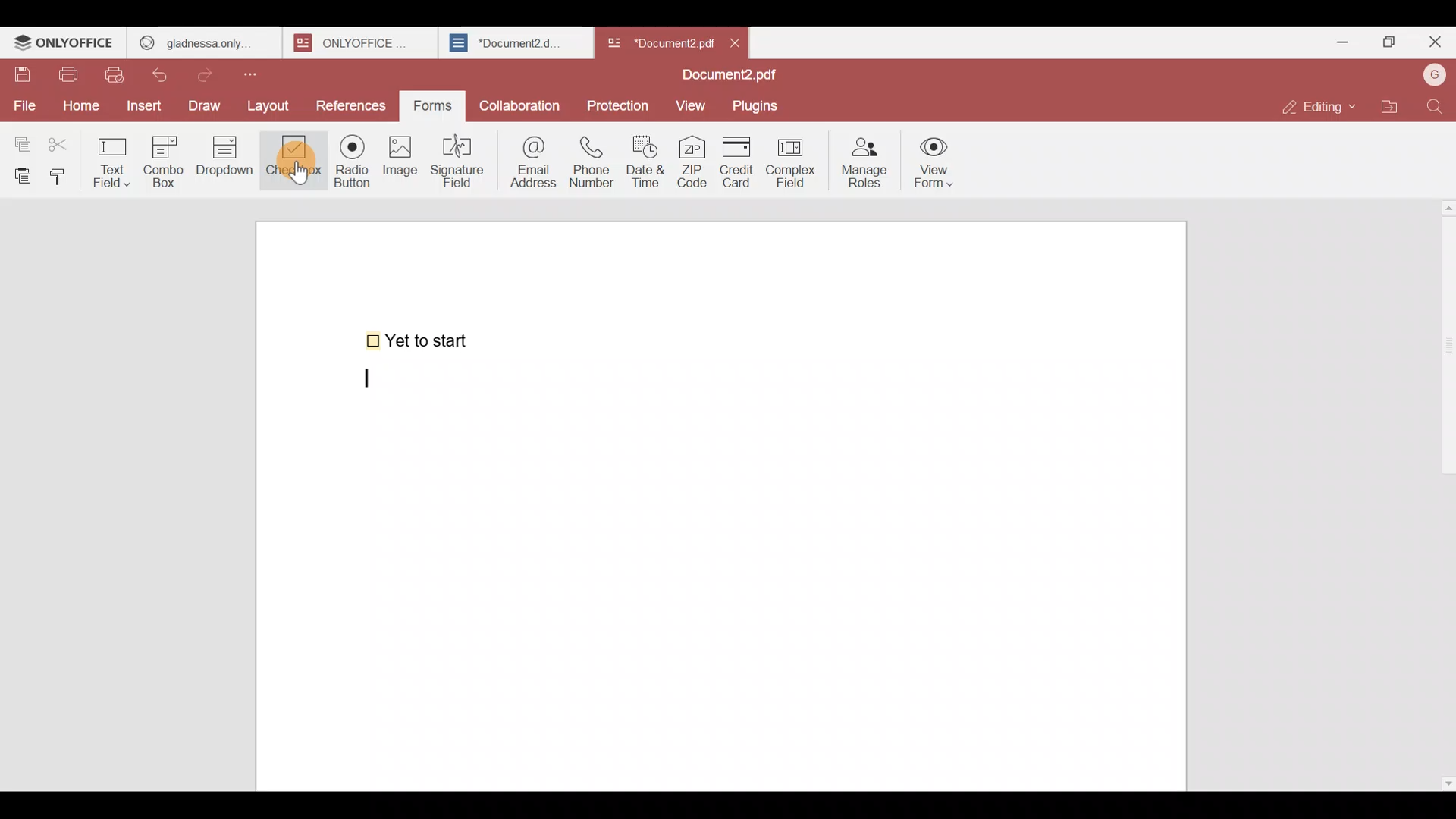 This screenshot has height=819, width=1456. I want to click on Credit card, so click(733, 163).